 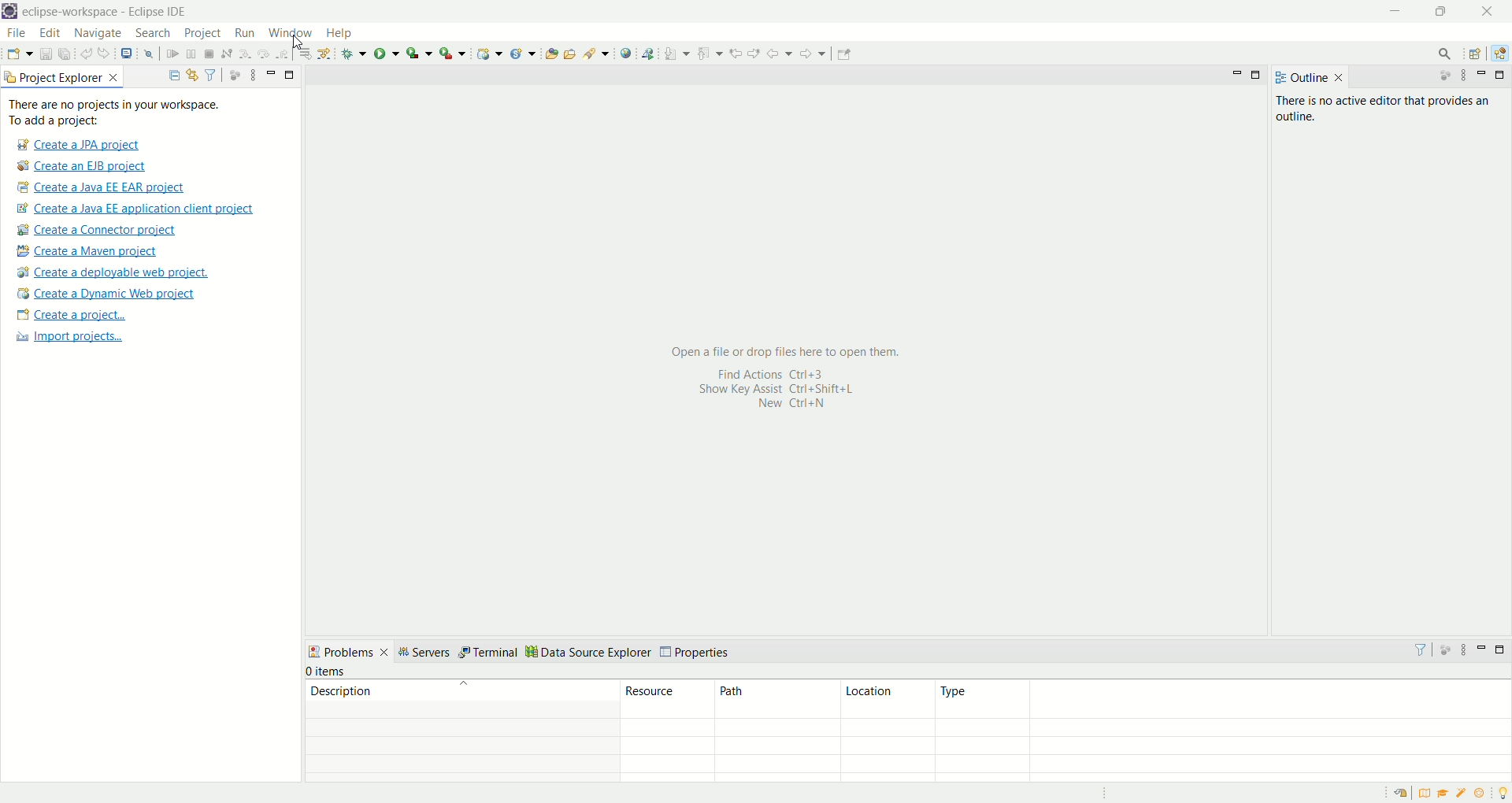 I want to click on outline, so click(x=1309, y=77).